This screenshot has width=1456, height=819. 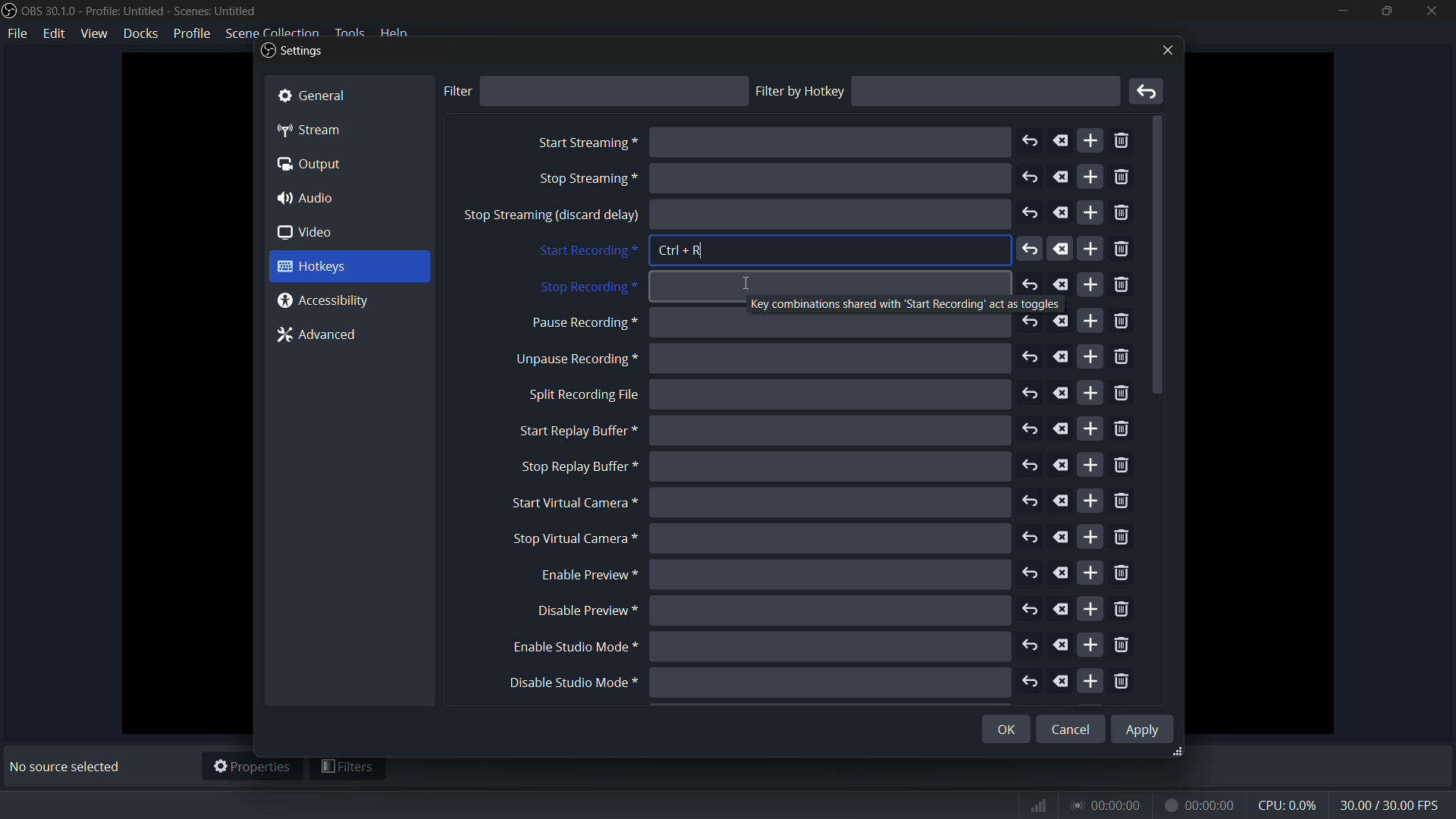 I want to click on delete, so click(x=1059, y=501).